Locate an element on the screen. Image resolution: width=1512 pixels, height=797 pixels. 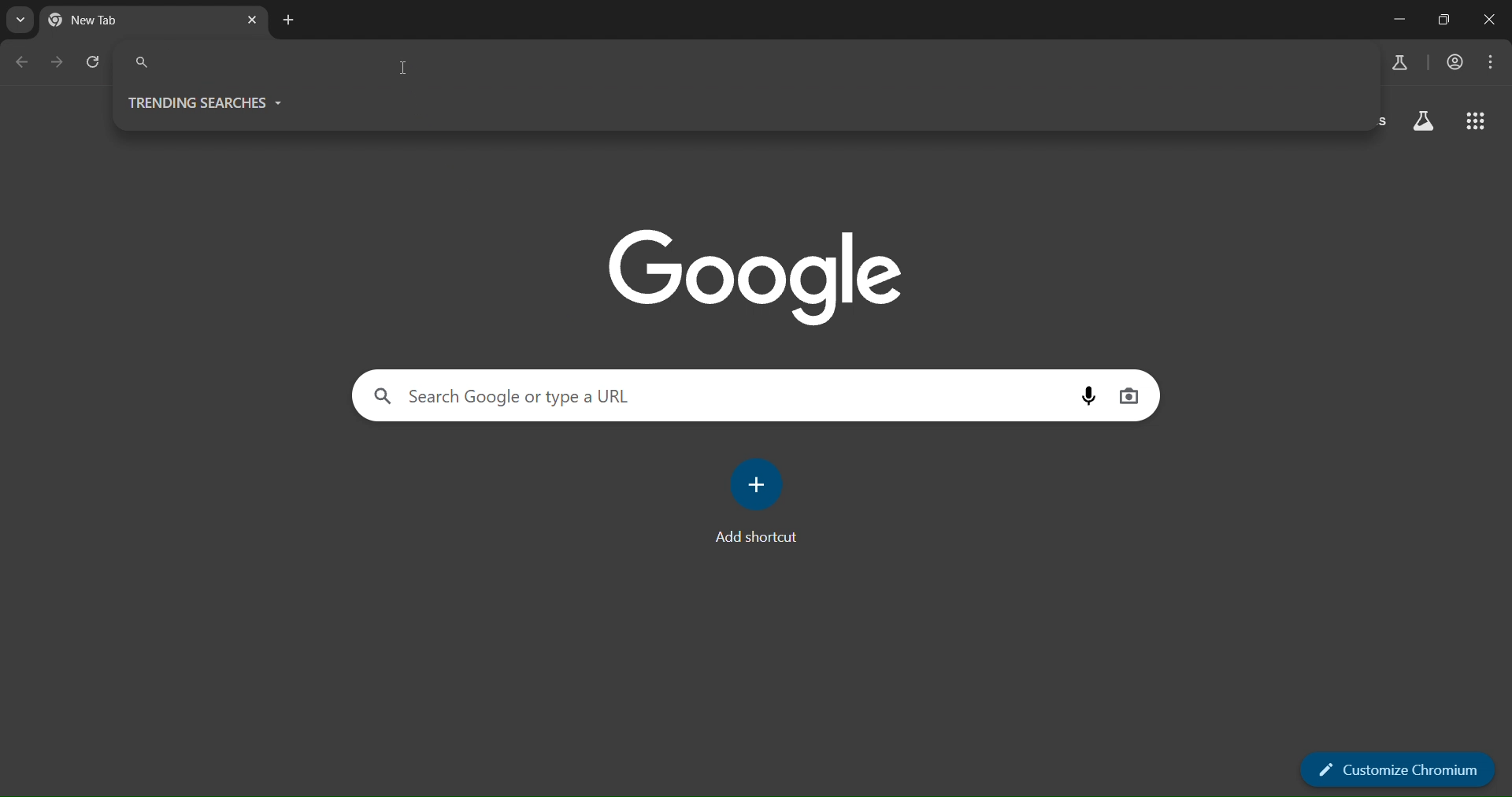
cursor is located at coordinates (405, 71).